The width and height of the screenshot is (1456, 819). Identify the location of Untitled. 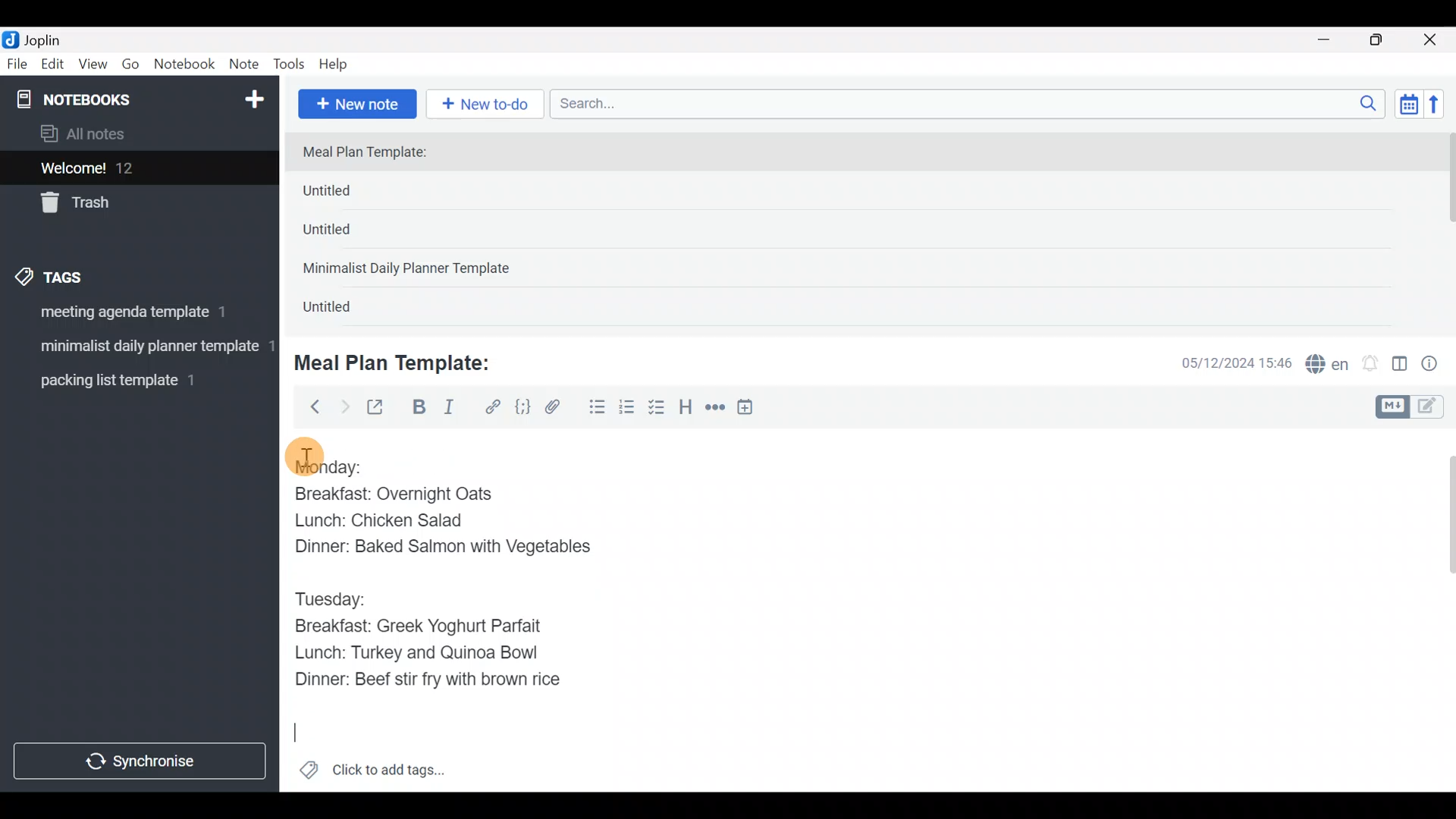
(352, 194).